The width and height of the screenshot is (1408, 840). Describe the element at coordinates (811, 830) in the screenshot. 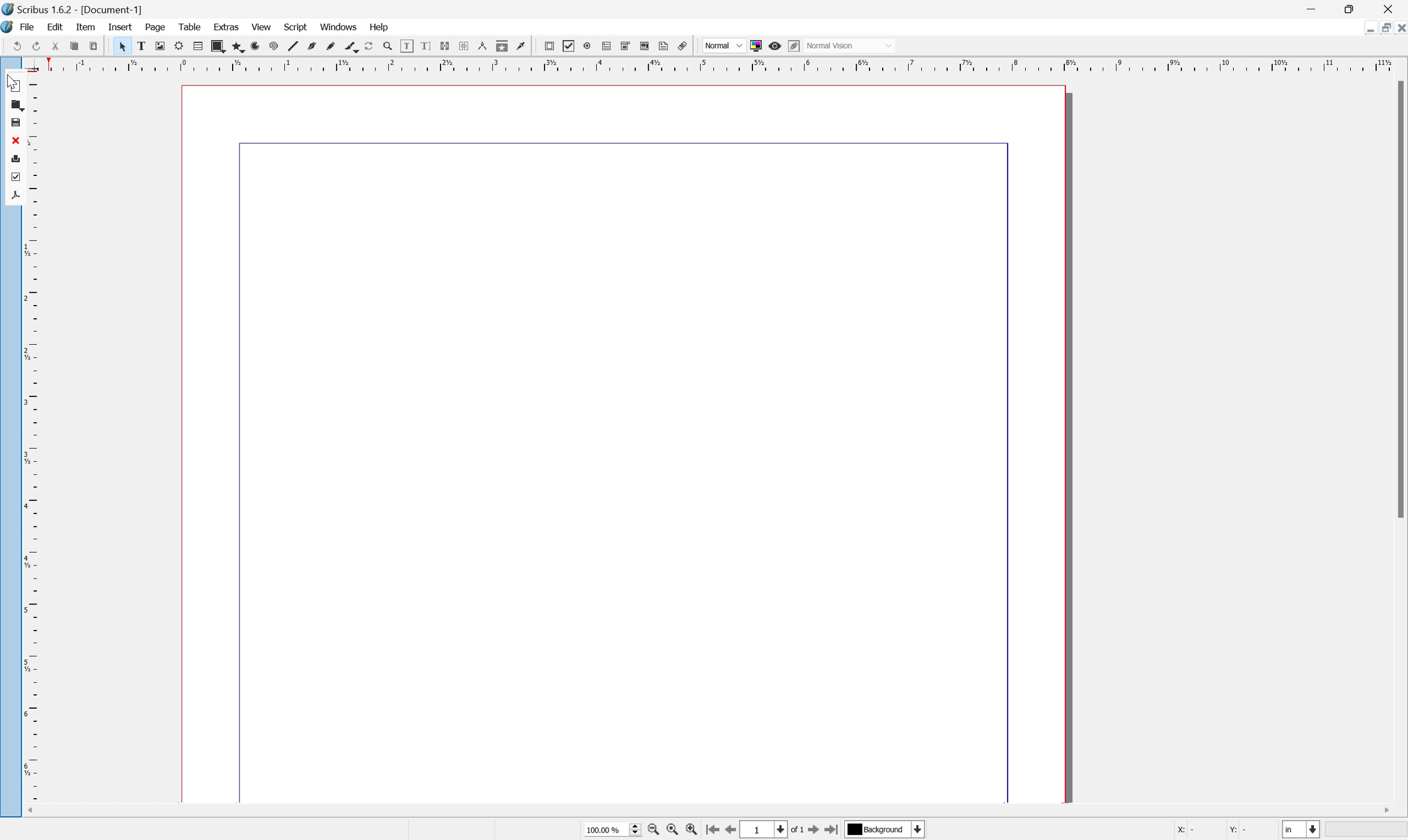

I see `go to next page` at that location.